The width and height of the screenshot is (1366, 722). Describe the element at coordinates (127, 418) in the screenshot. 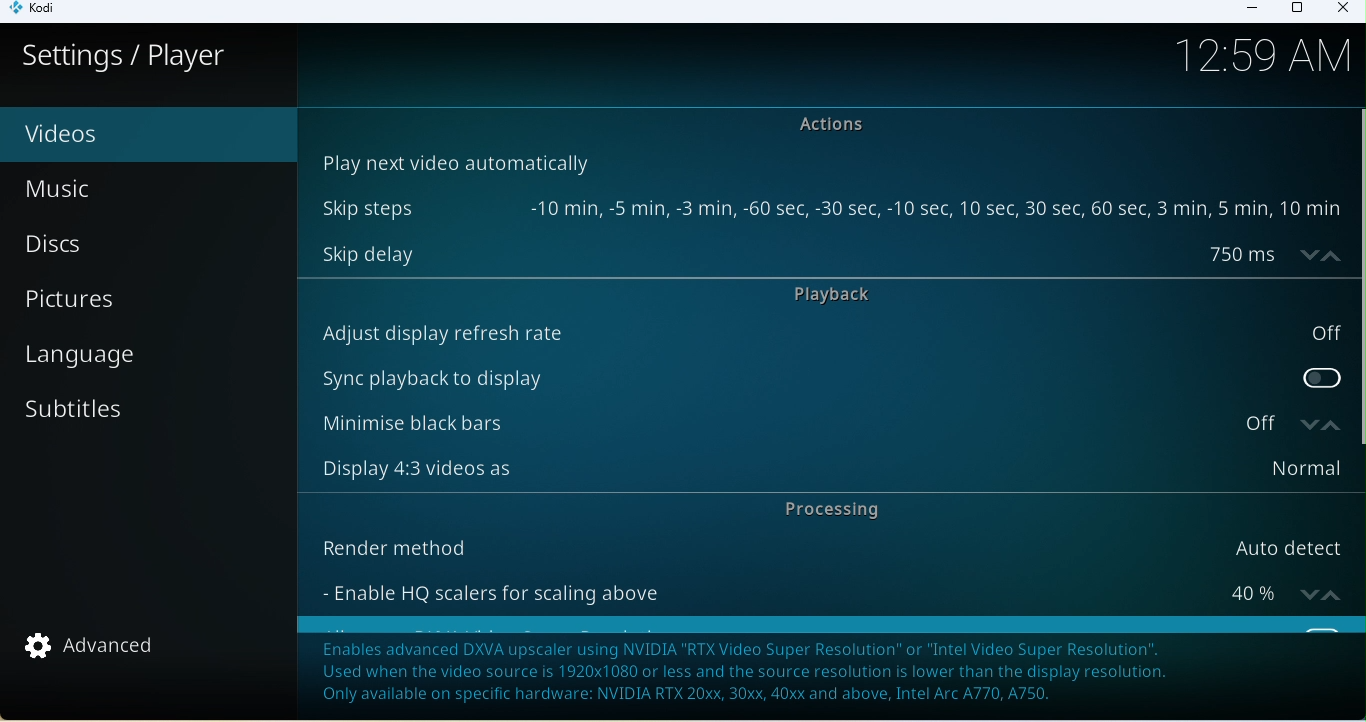

I see `Subtitles` at that location.